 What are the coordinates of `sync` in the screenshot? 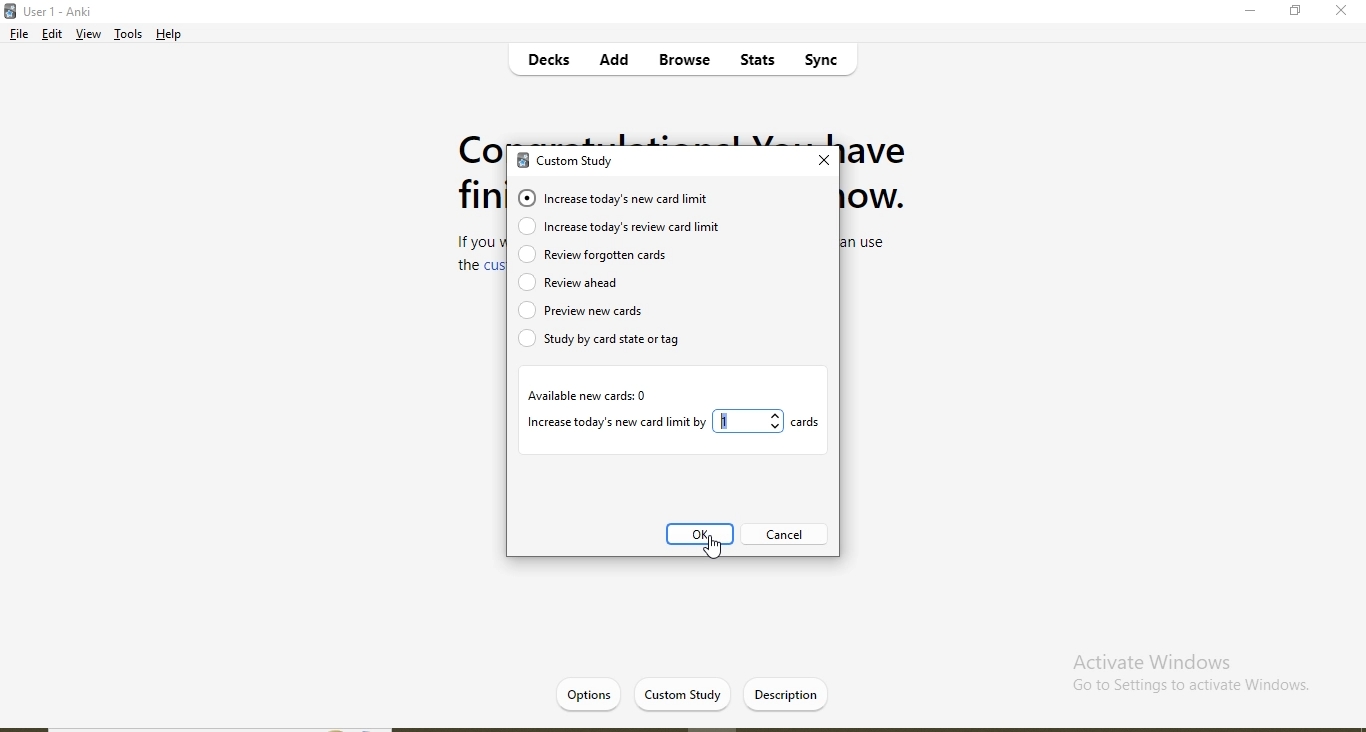 It's located at (829, 63).